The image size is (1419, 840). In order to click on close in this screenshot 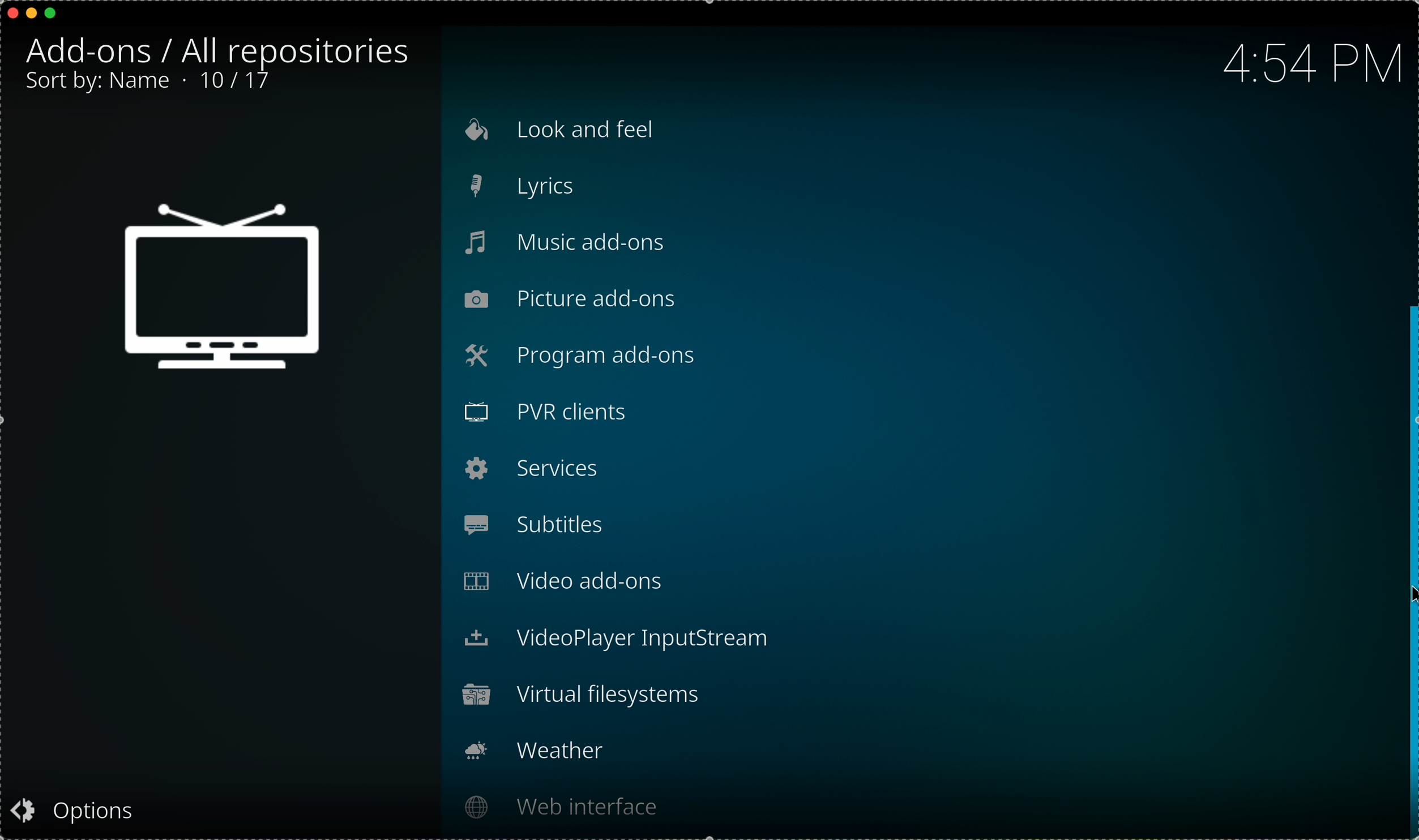, I will do `click(9, 13)`.